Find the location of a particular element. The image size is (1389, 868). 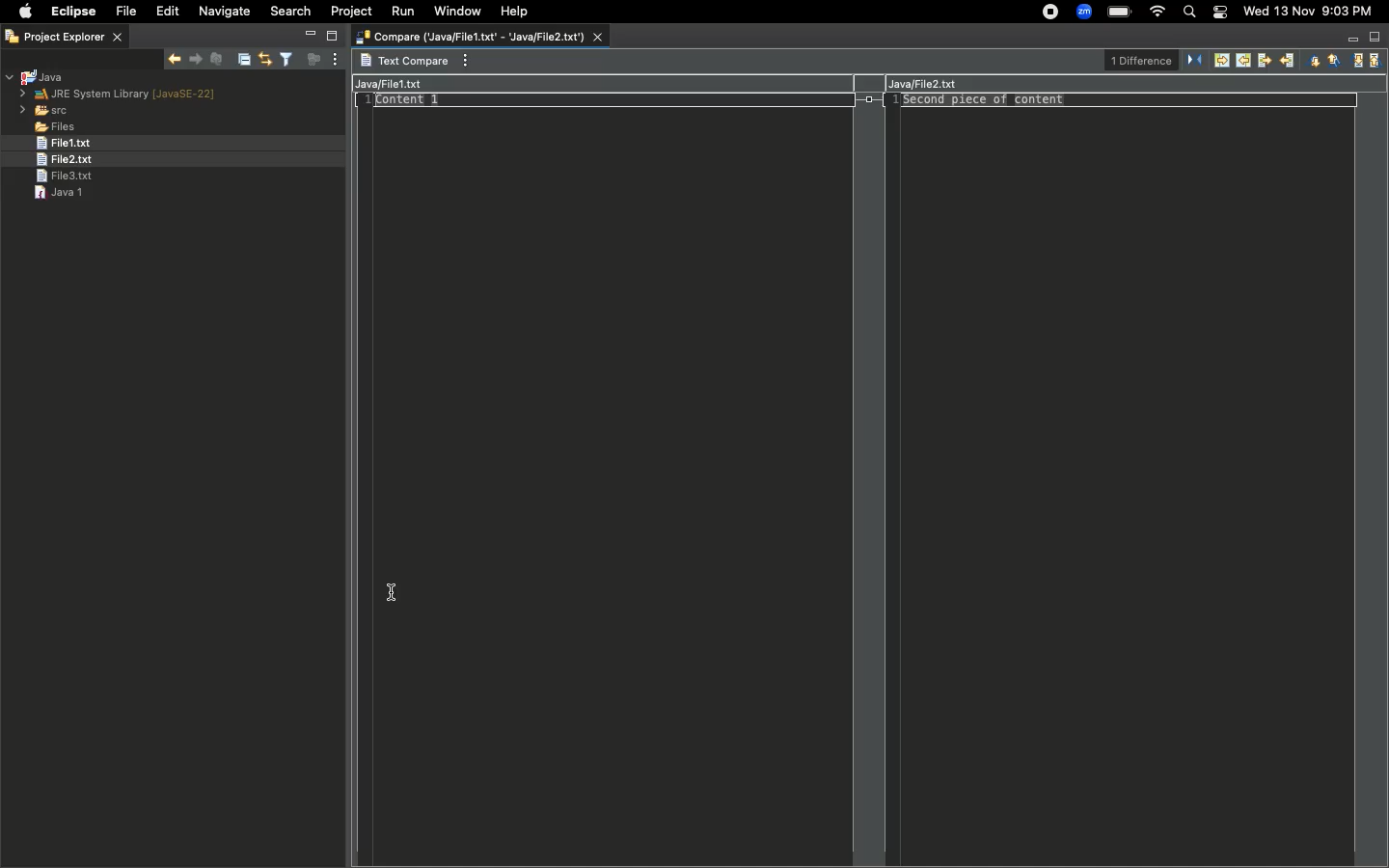

Next change is located at coordinates (1353, 62).